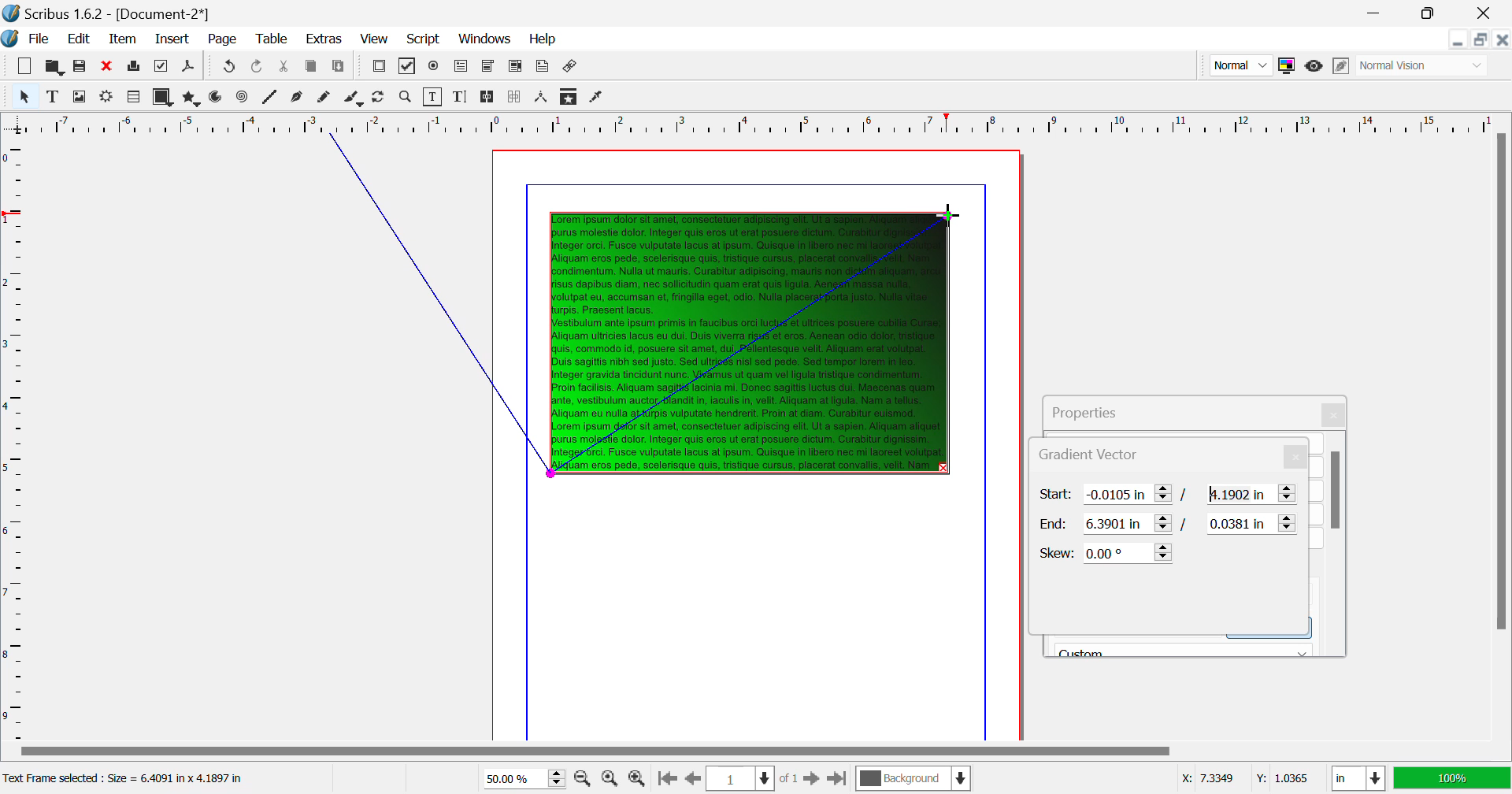 The width and height of the screenshot is (1512, 794). I want to click on Pdf Checkbox, so click(408, 69).